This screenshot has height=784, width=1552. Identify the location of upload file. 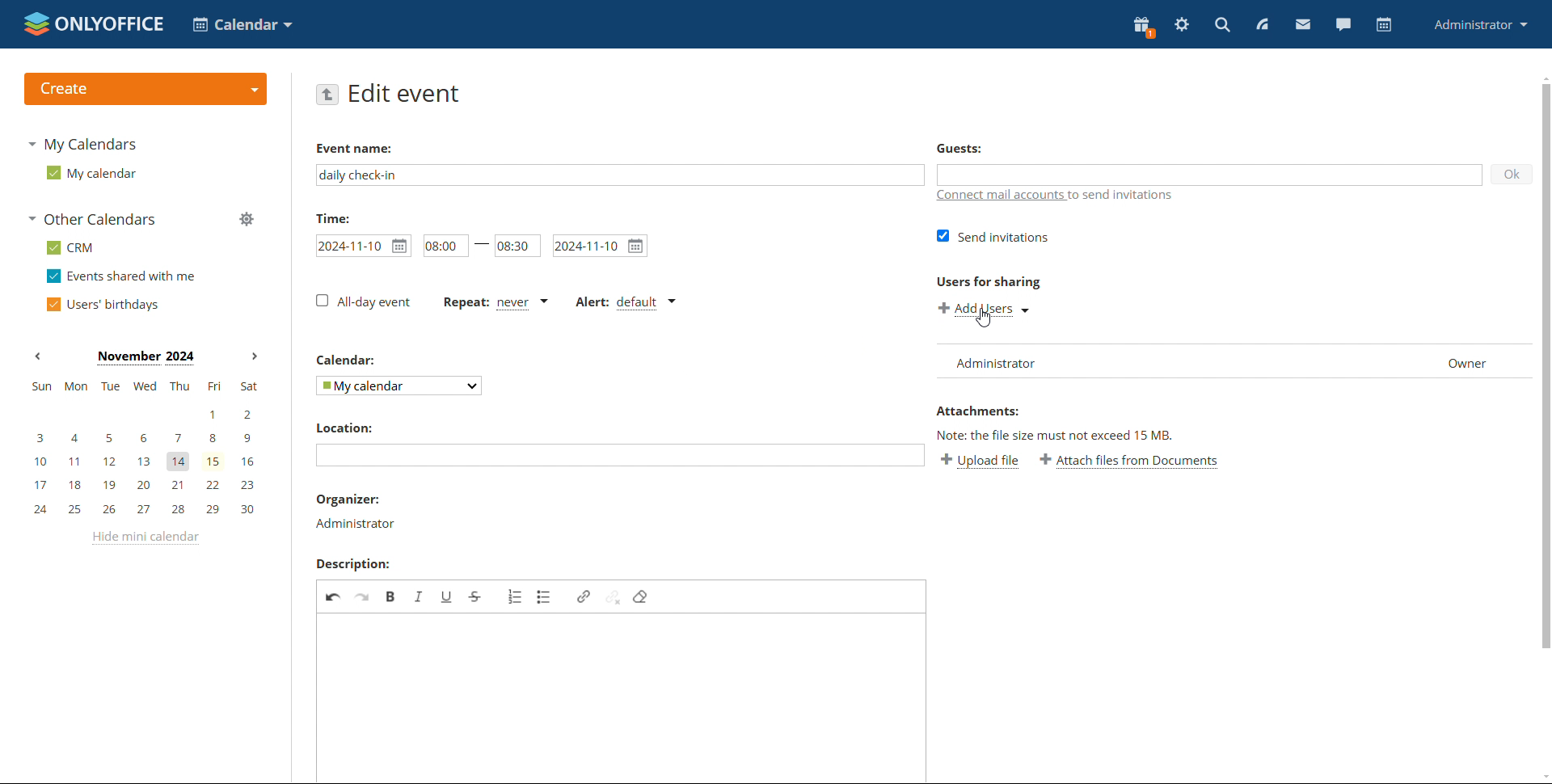
(980, 462).